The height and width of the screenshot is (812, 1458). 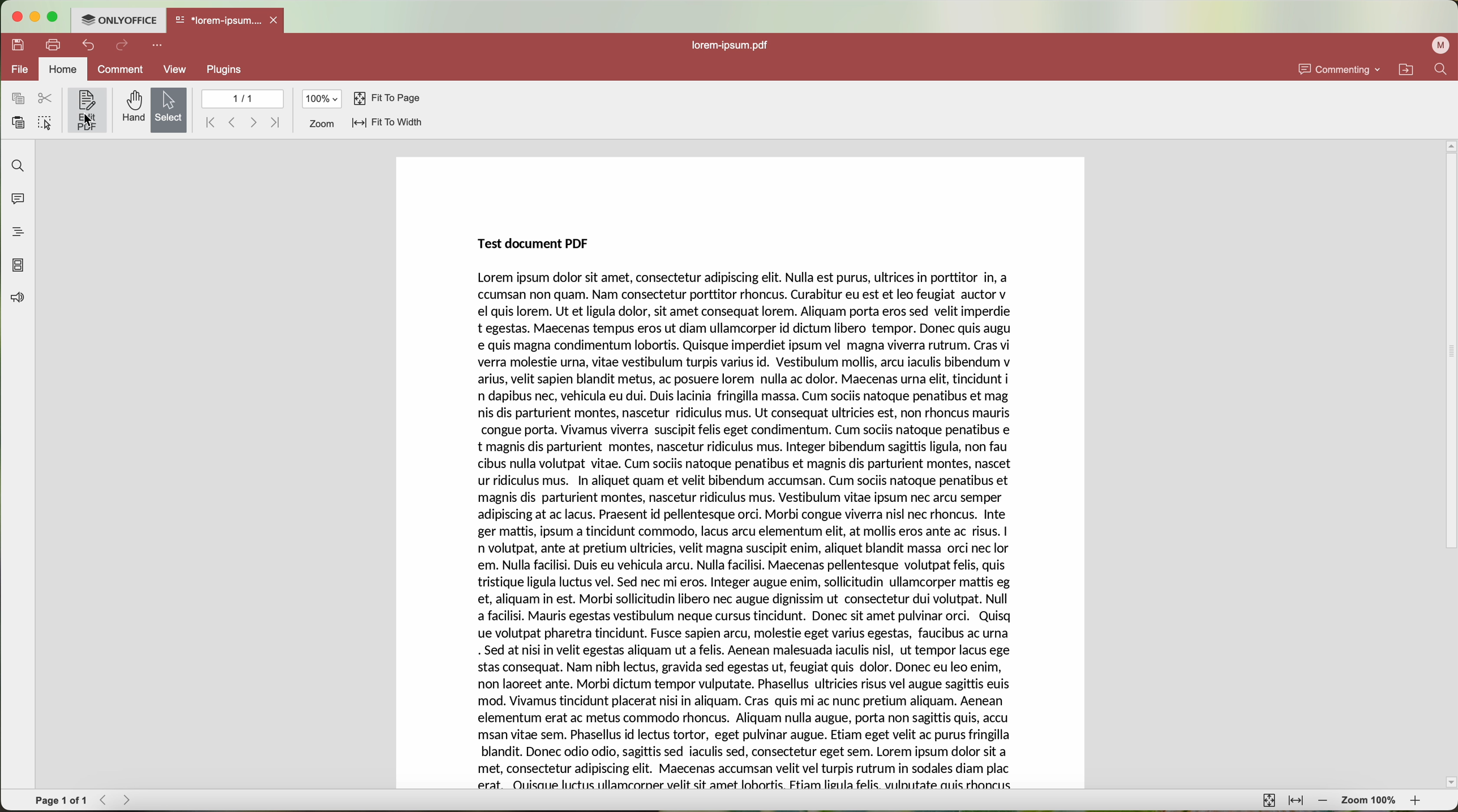 What do you see at coordinates (131, 108) in the screenshot?
I see `hand` at bounding box center [131, 108].